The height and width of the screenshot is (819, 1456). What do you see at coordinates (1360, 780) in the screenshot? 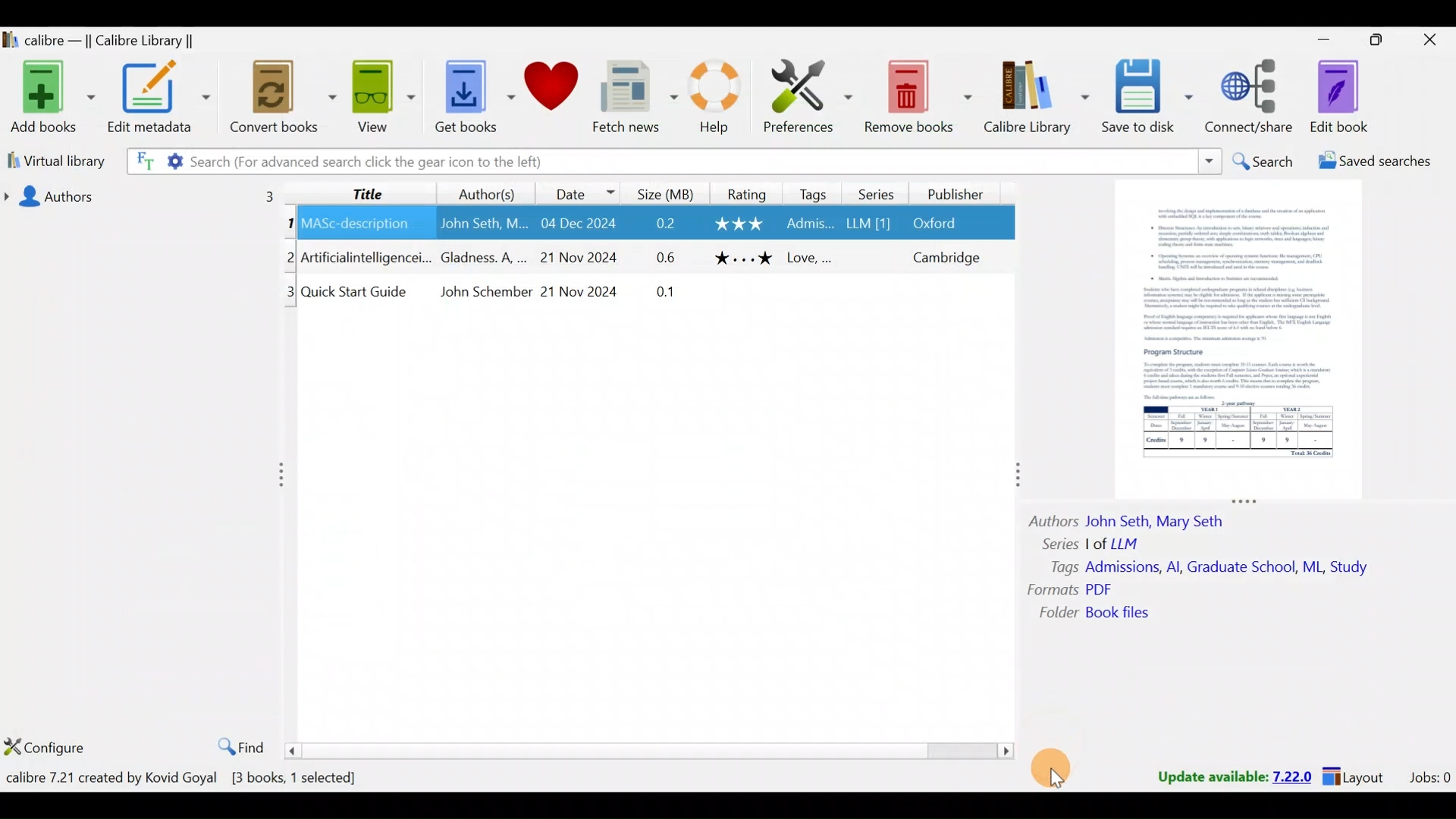
I see `Layouts` at bounding box center [1360, 780].